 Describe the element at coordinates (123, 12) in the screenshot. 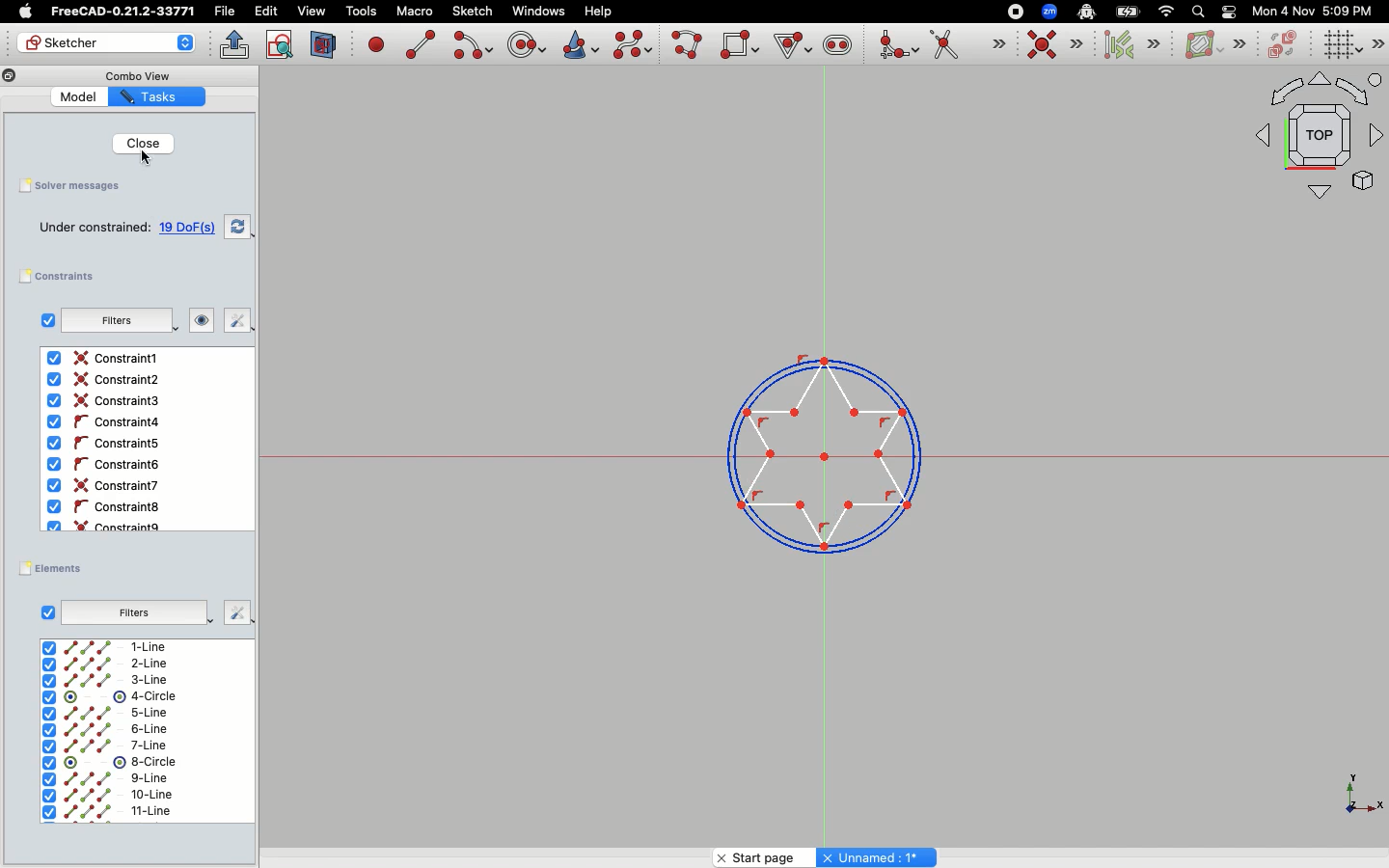

I see `FreeCAD-0.21.2-33771` at that location.